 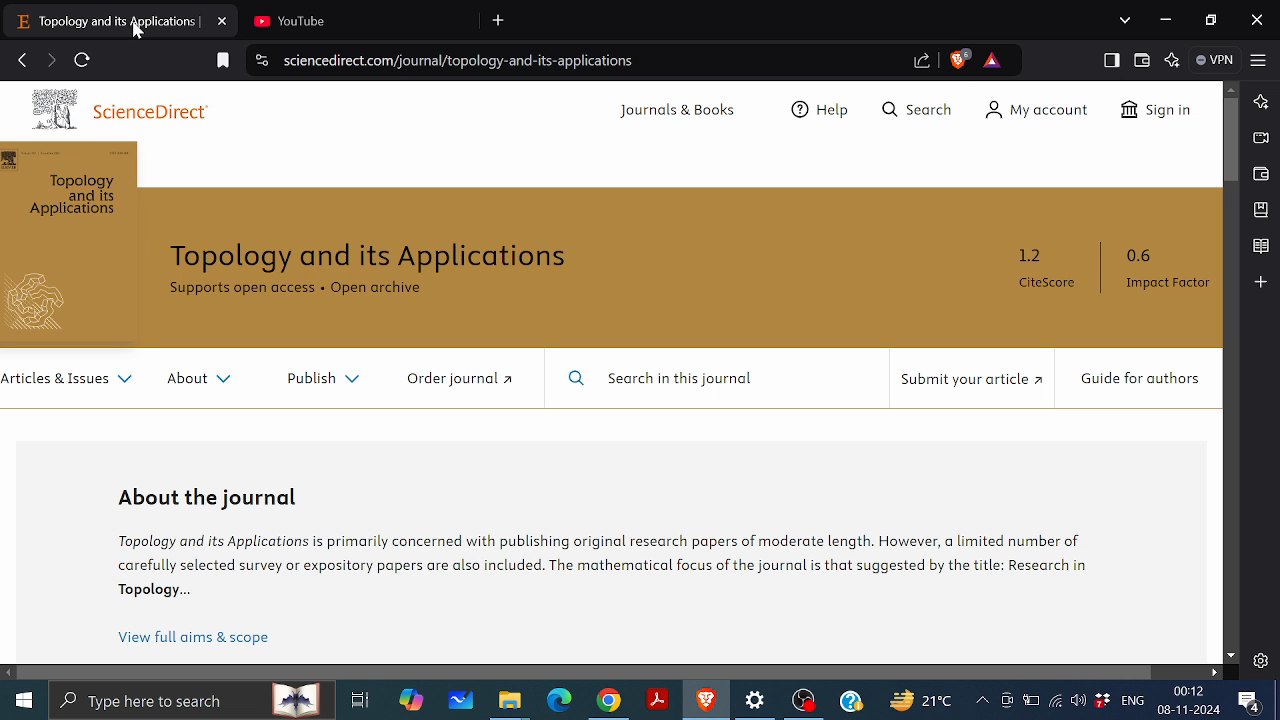 I want to click on Current tab, so click(x=104, y=20).